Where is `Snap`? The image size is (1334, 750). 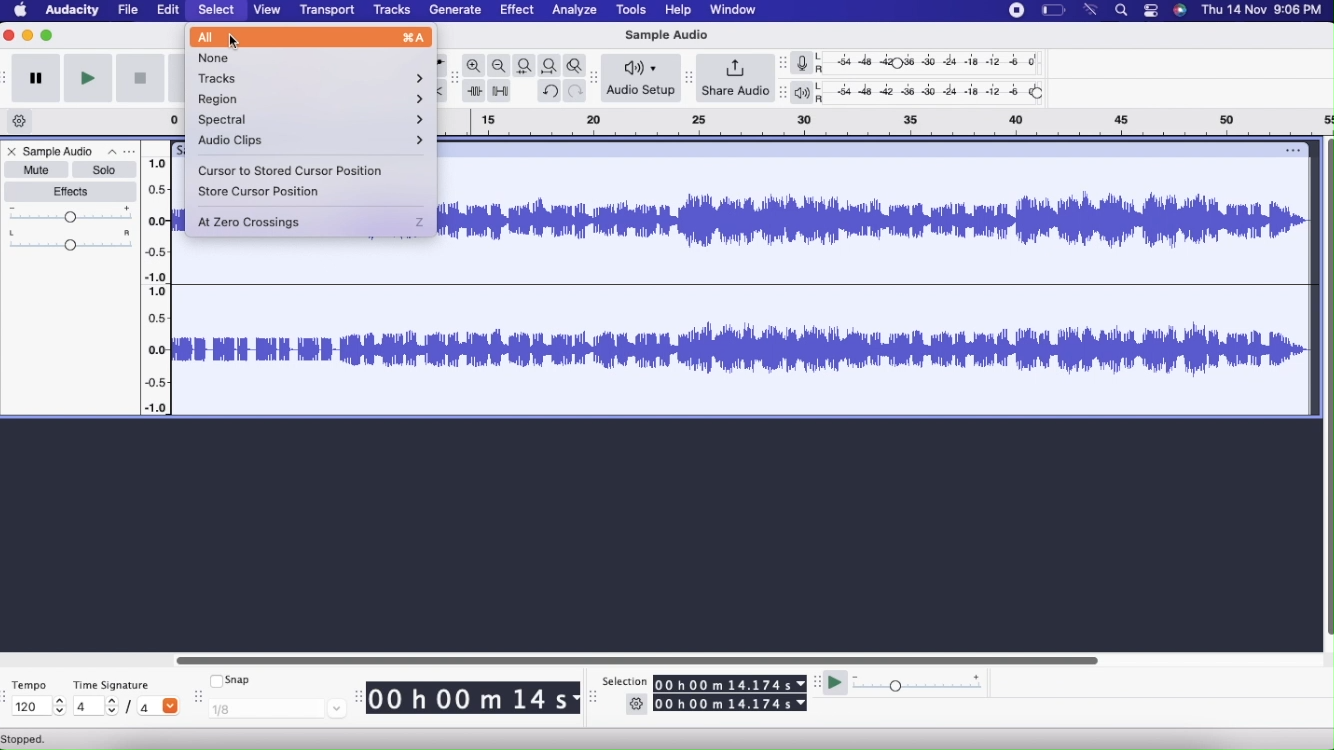
Snap is located at coordinates (234, 680).